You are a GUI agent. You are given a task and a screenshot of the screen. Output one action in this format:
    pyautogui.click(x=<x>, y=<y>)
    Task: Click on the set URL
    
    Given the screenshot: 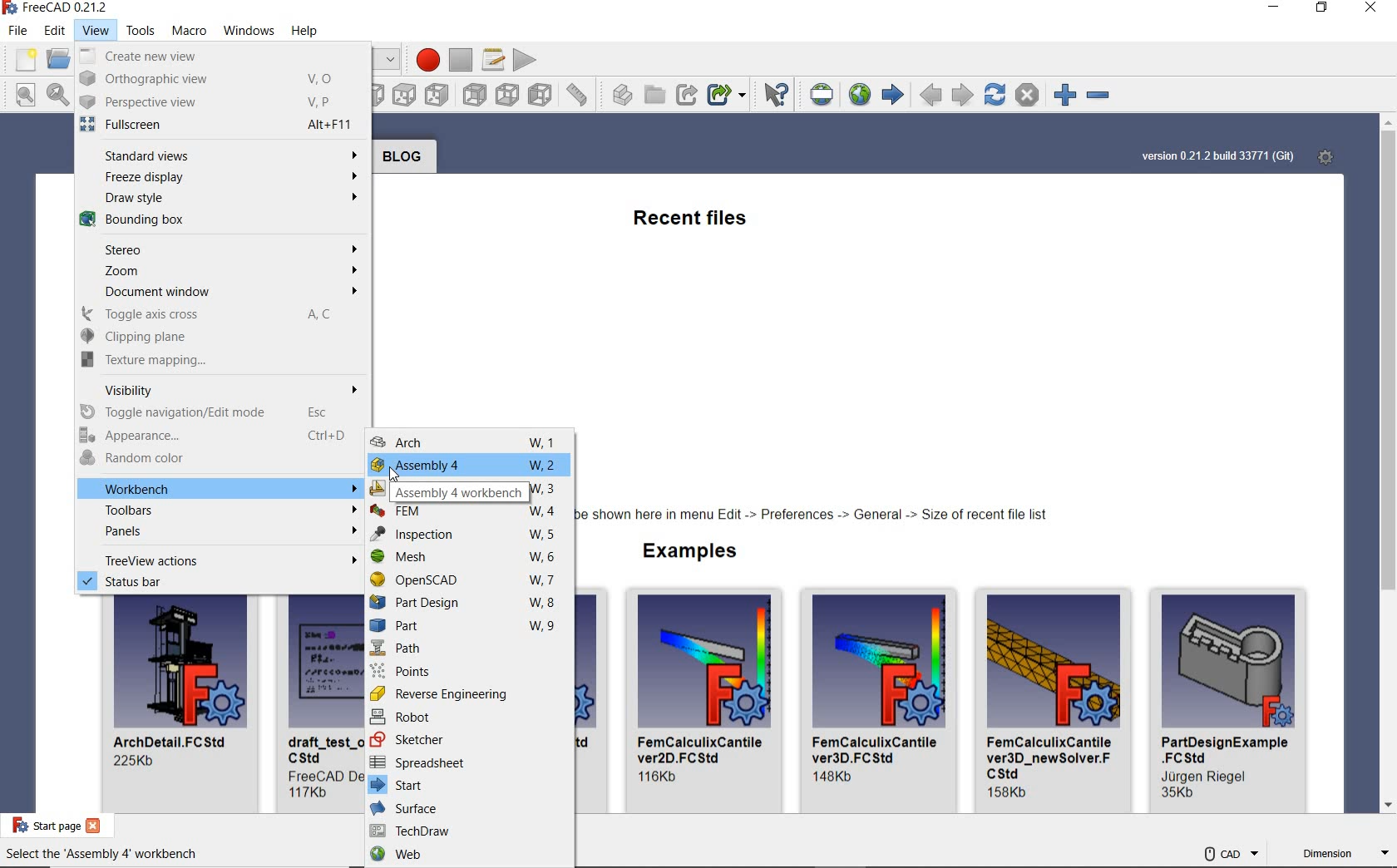 What is the action you would take?
    pyautogui.click(x=819, y=96)
    